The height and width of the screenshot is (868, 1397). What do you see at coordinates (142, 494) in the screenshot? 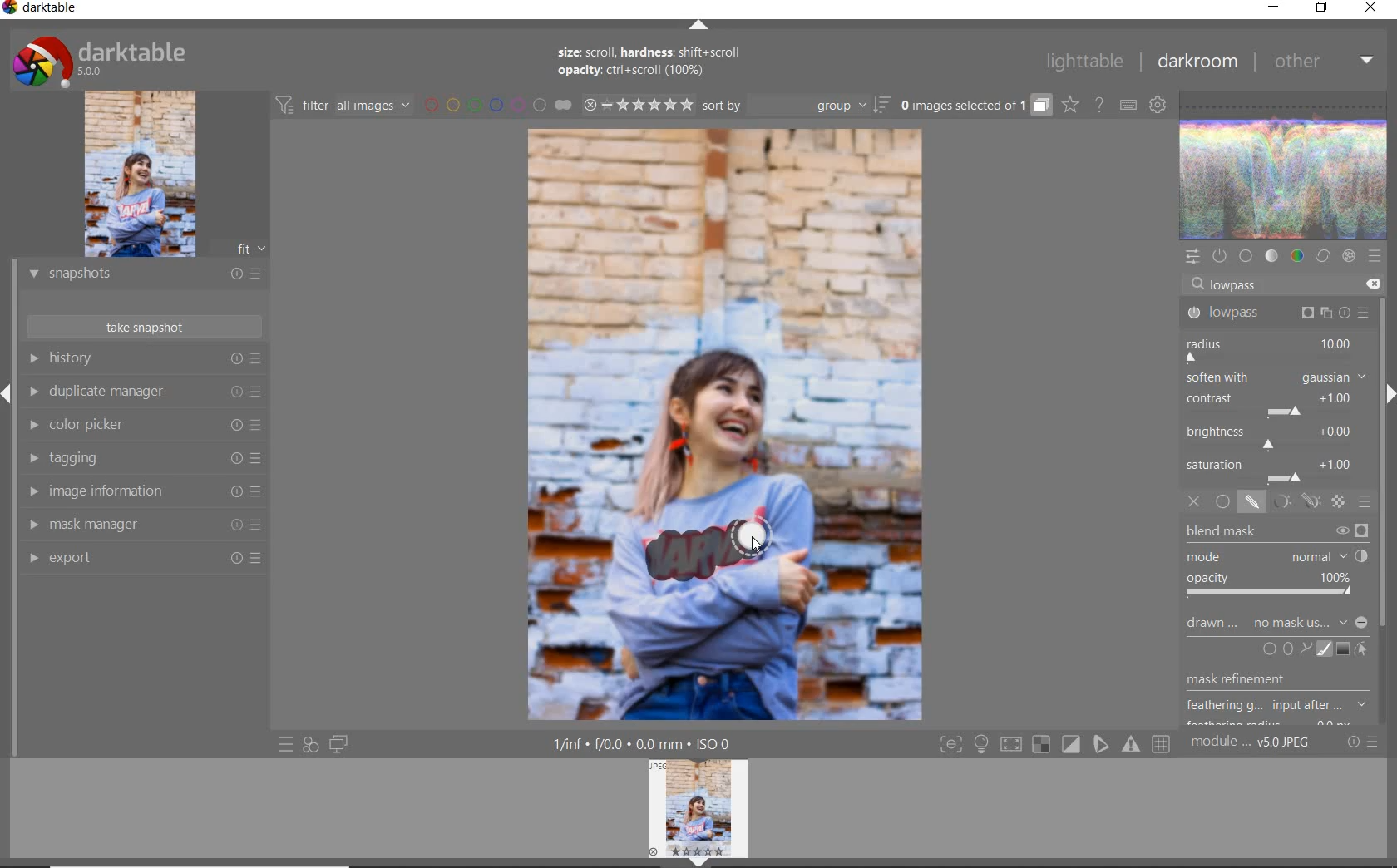
I see `image information` at bounding box center [142, 494].